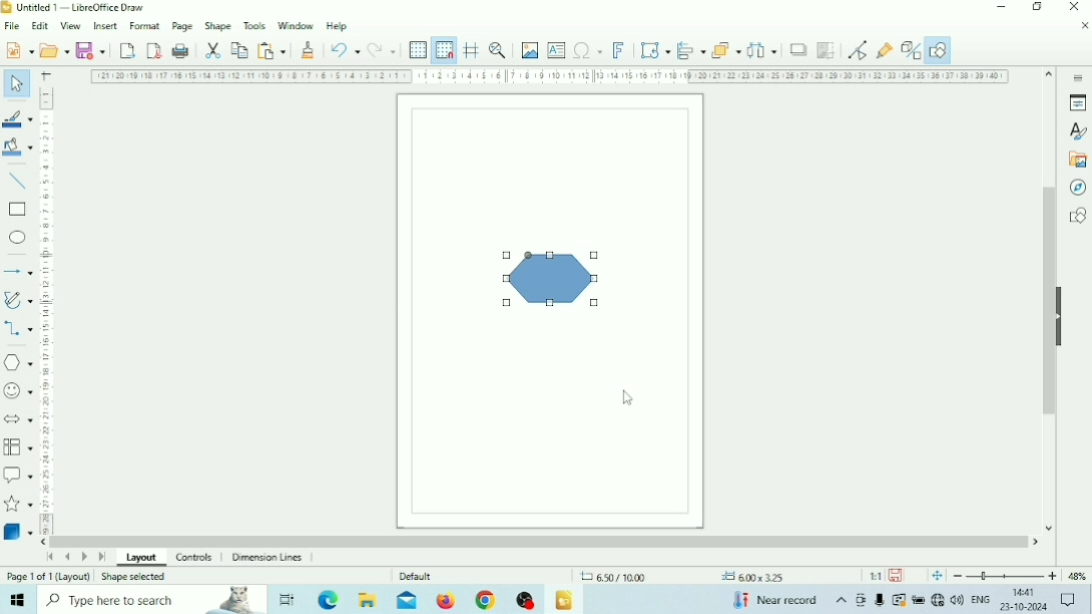  I want to click on Show Draw Functions, so click(938, 50).